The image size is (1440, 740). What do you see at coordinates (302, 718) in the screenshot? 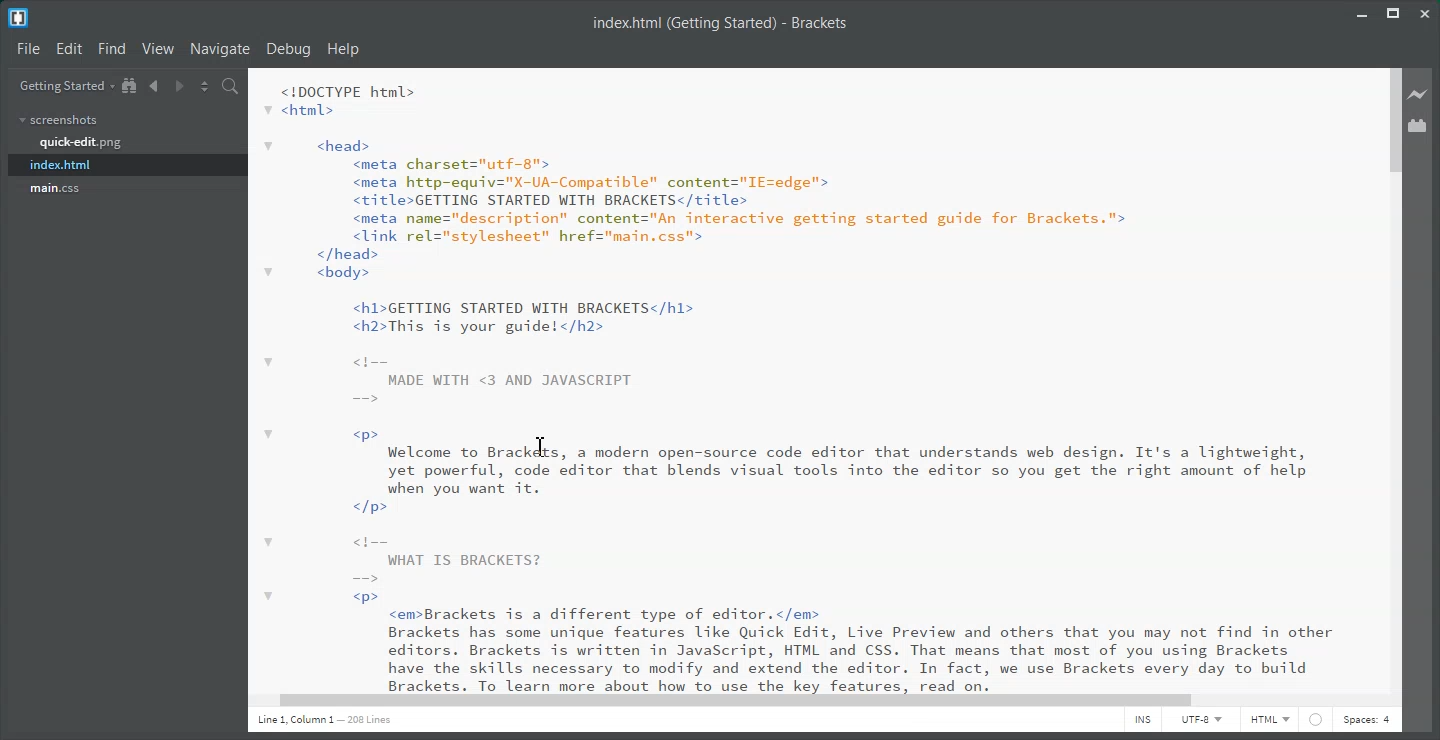
I see `Line 1 column 1-208 lines` at bounding box center [302, 718].